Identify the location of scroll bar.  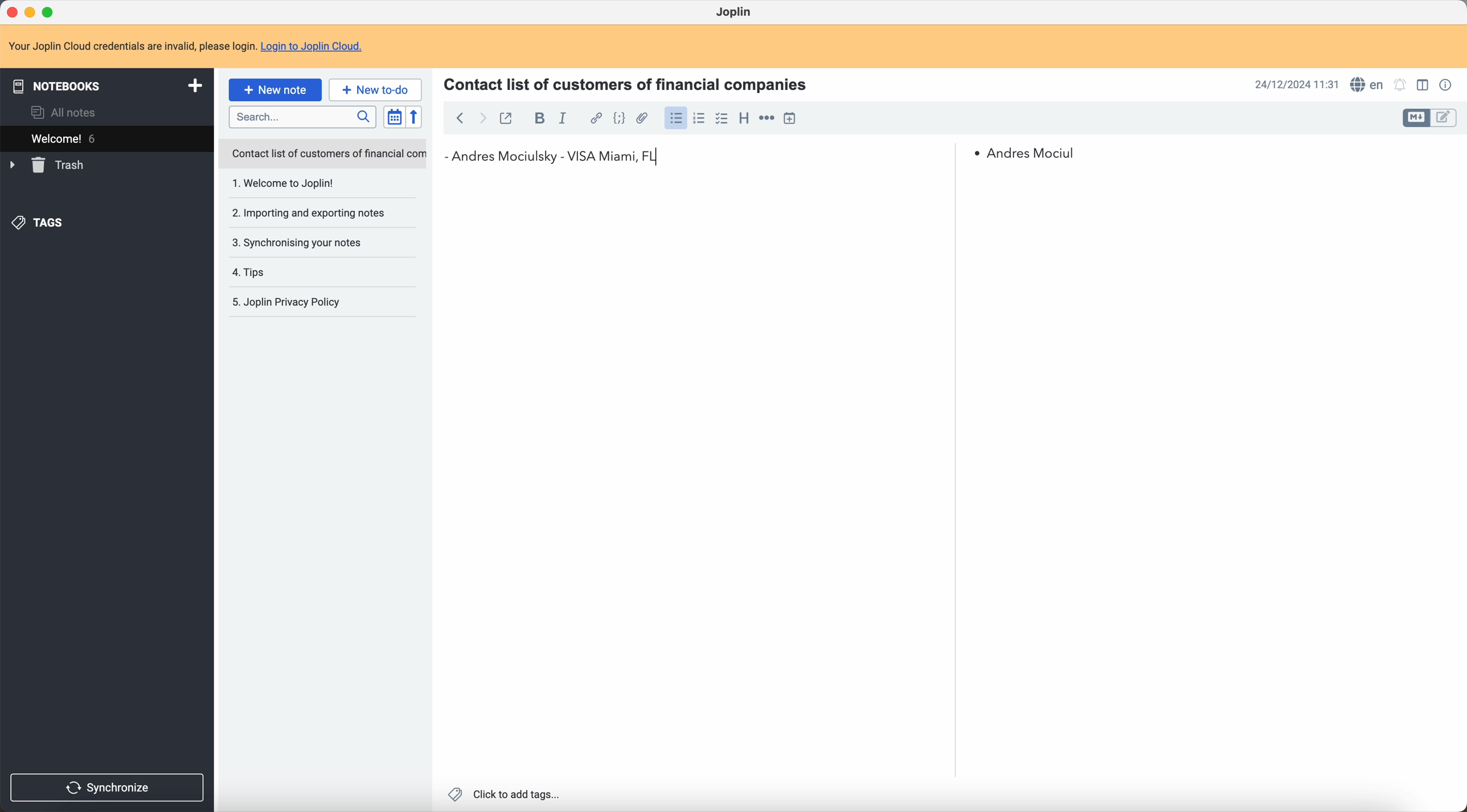
(950, 246).